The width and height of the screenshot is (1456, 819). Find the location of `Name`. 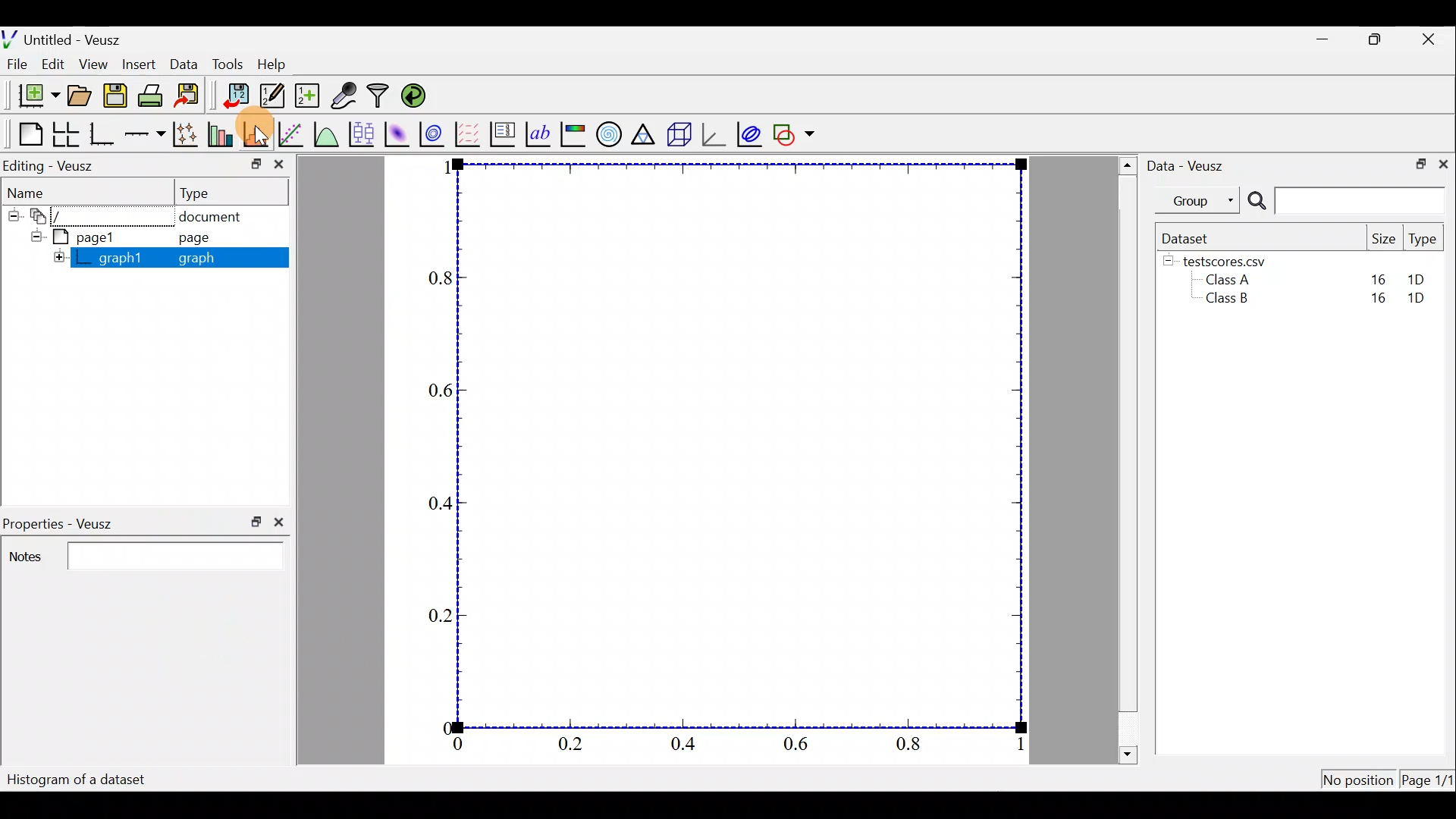

Name is located at coordinates (45, 193).